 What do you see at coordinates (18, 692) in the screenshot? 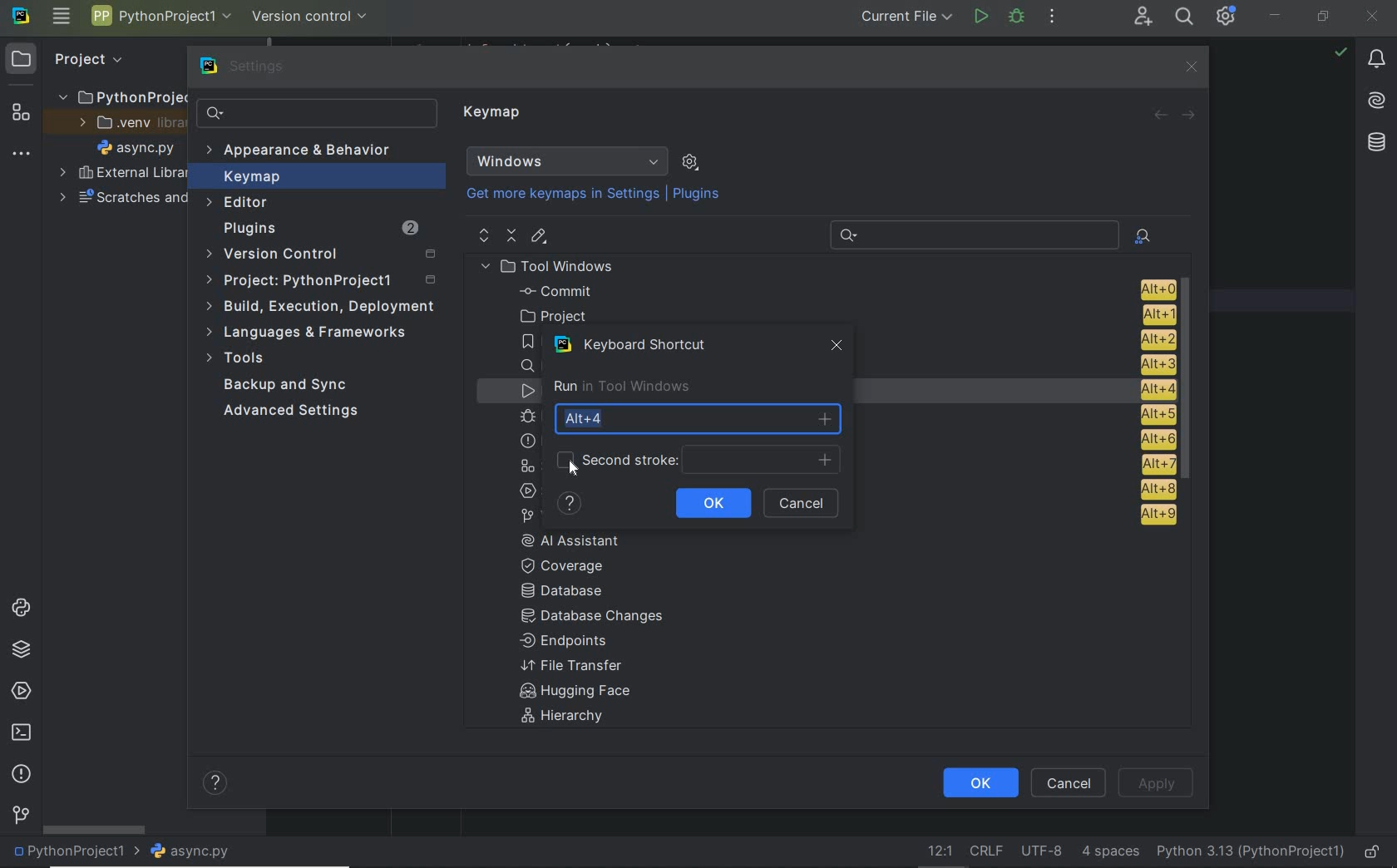
I see `services` at bounding box center [18, 692].